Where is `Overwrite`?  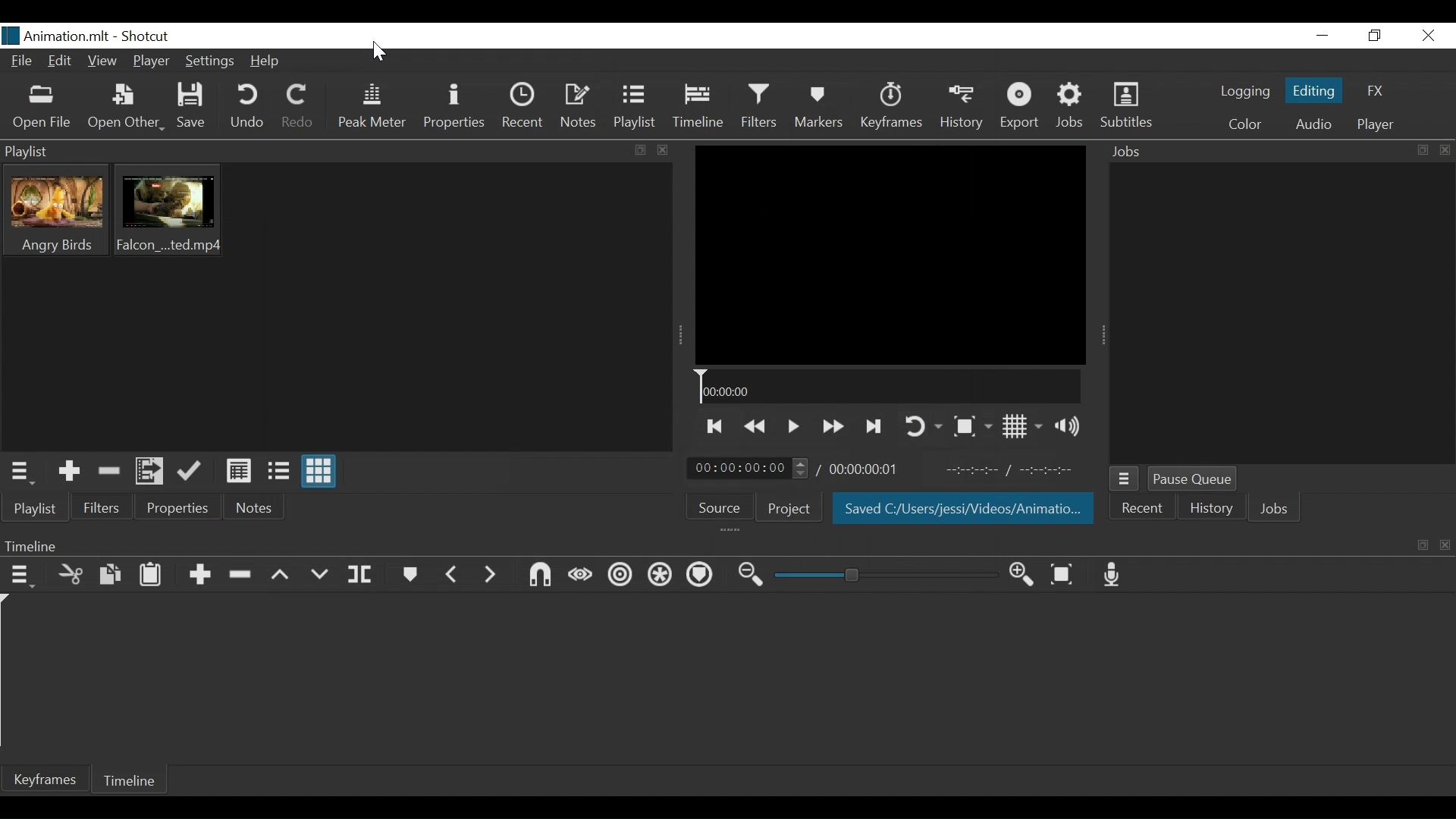 Overwrite is located at coordinates (322, 575).